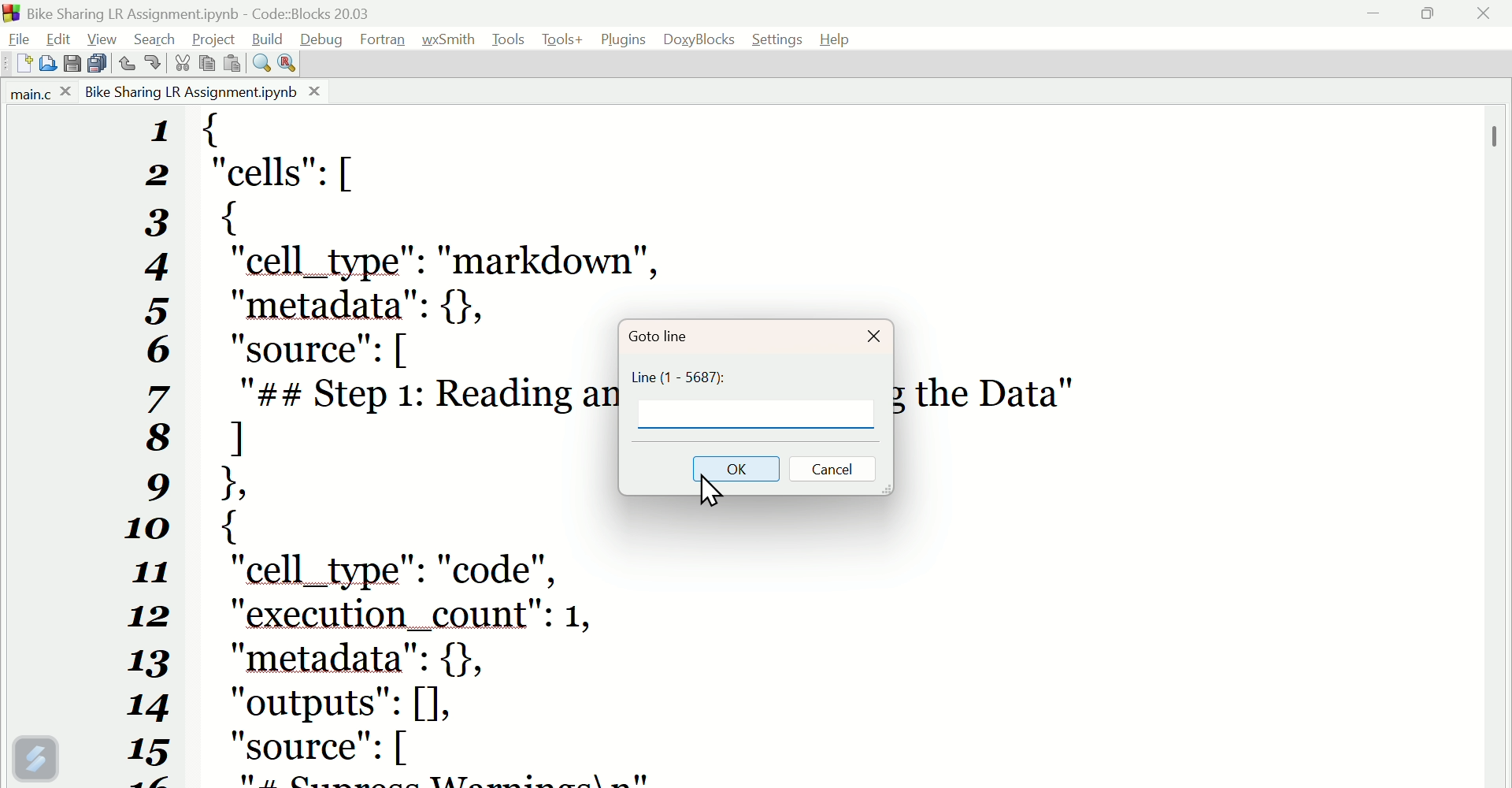  I want to click on Save all, so click(97, 62).